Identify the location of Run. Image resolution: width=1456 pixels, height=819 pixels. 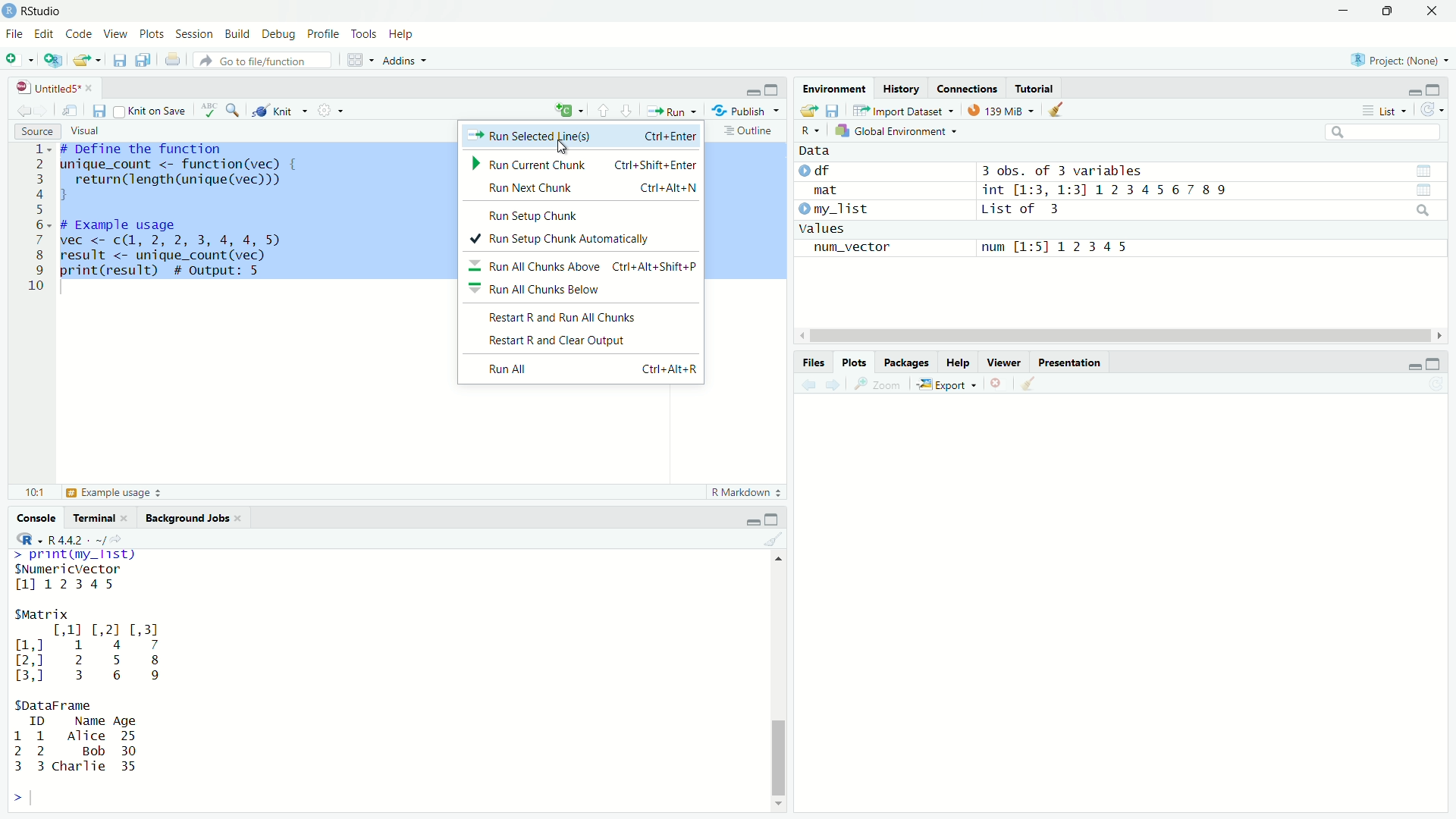
(672, 111).